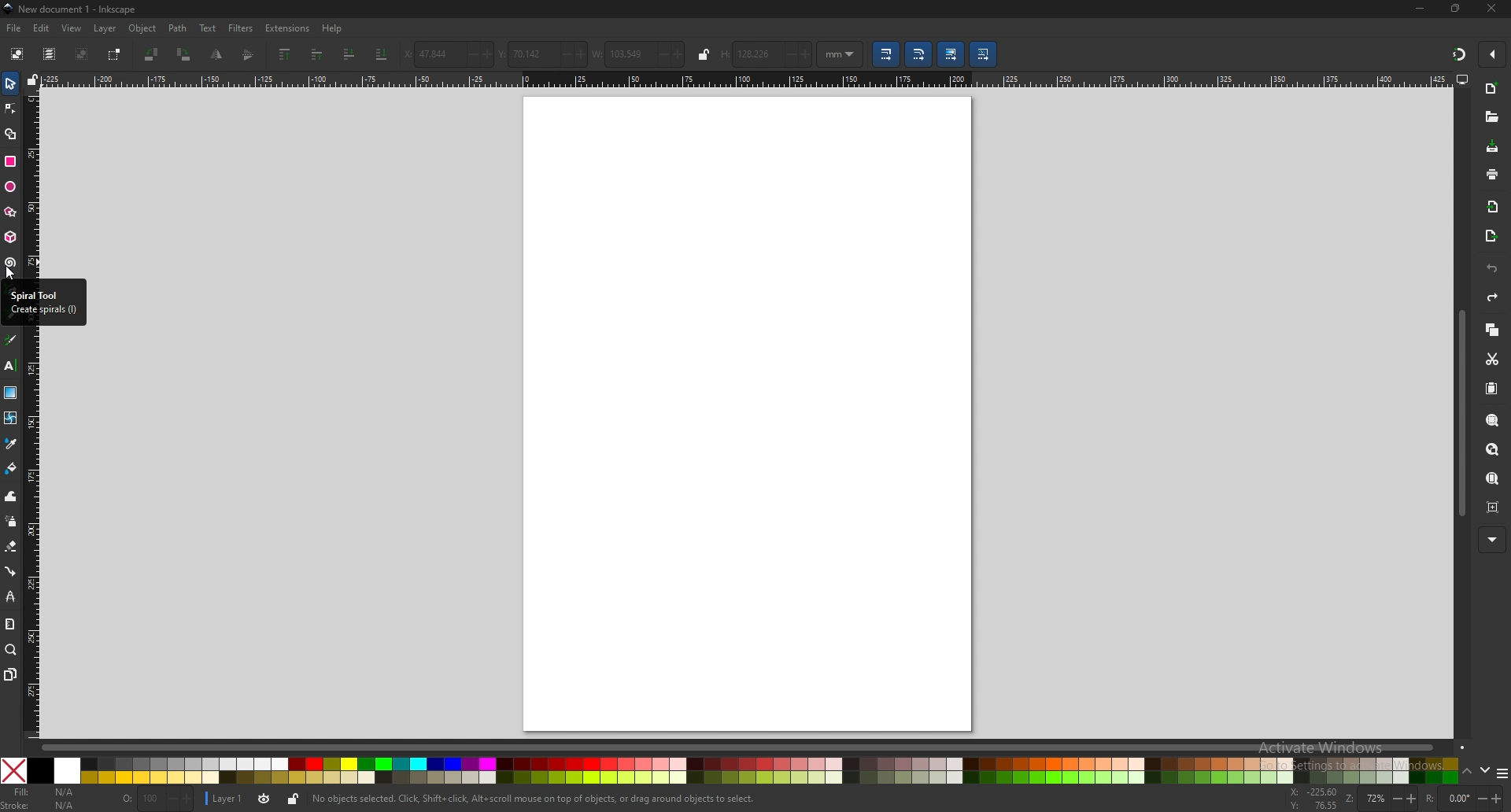 The image size is (1511, 812). Describe the element at coordinates (105, 28) in the screenshot. I see `layer` at that location.